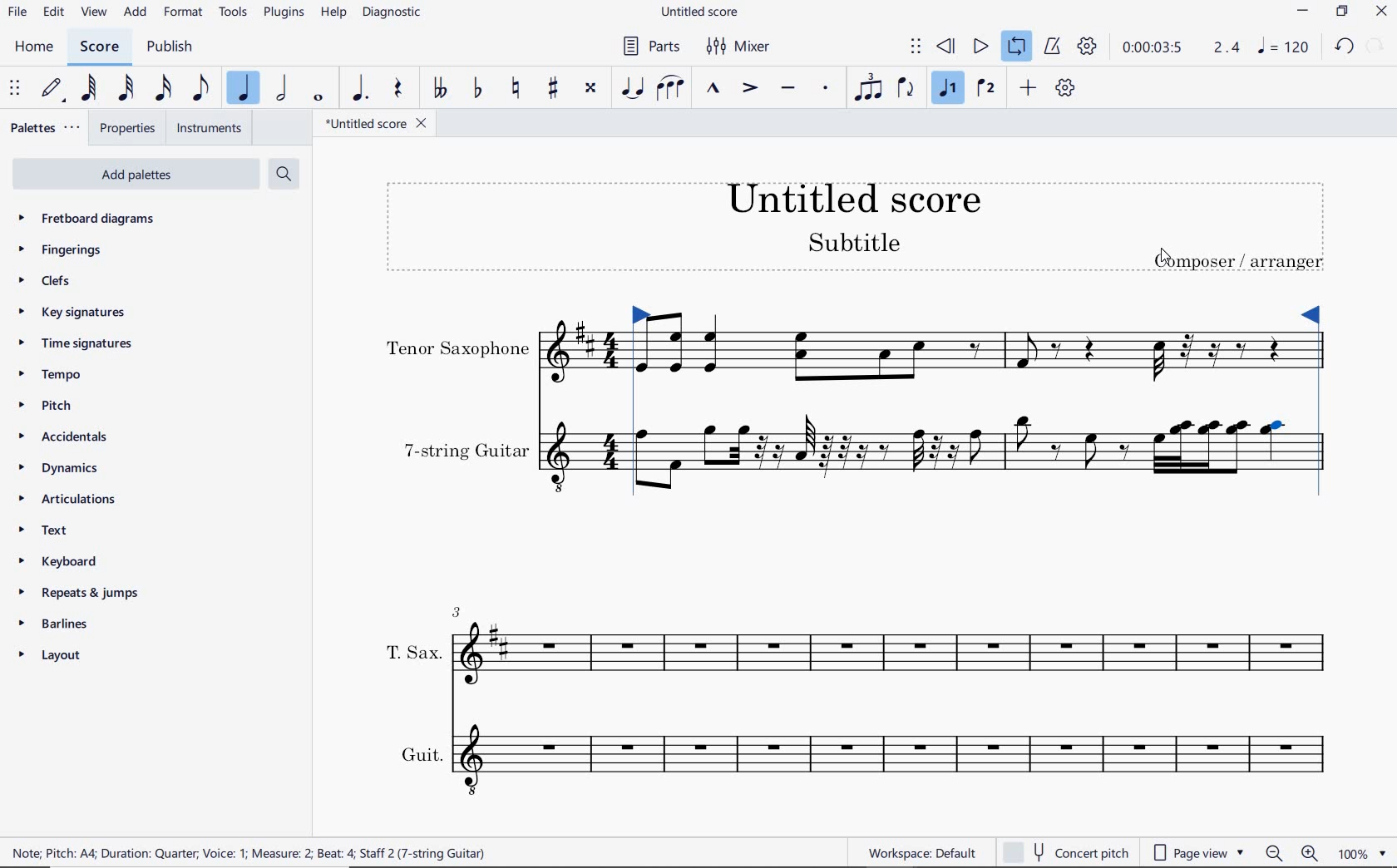 This screenshot has width=1397, height=868. I want to click on CLOSE, so click(1380, 13).